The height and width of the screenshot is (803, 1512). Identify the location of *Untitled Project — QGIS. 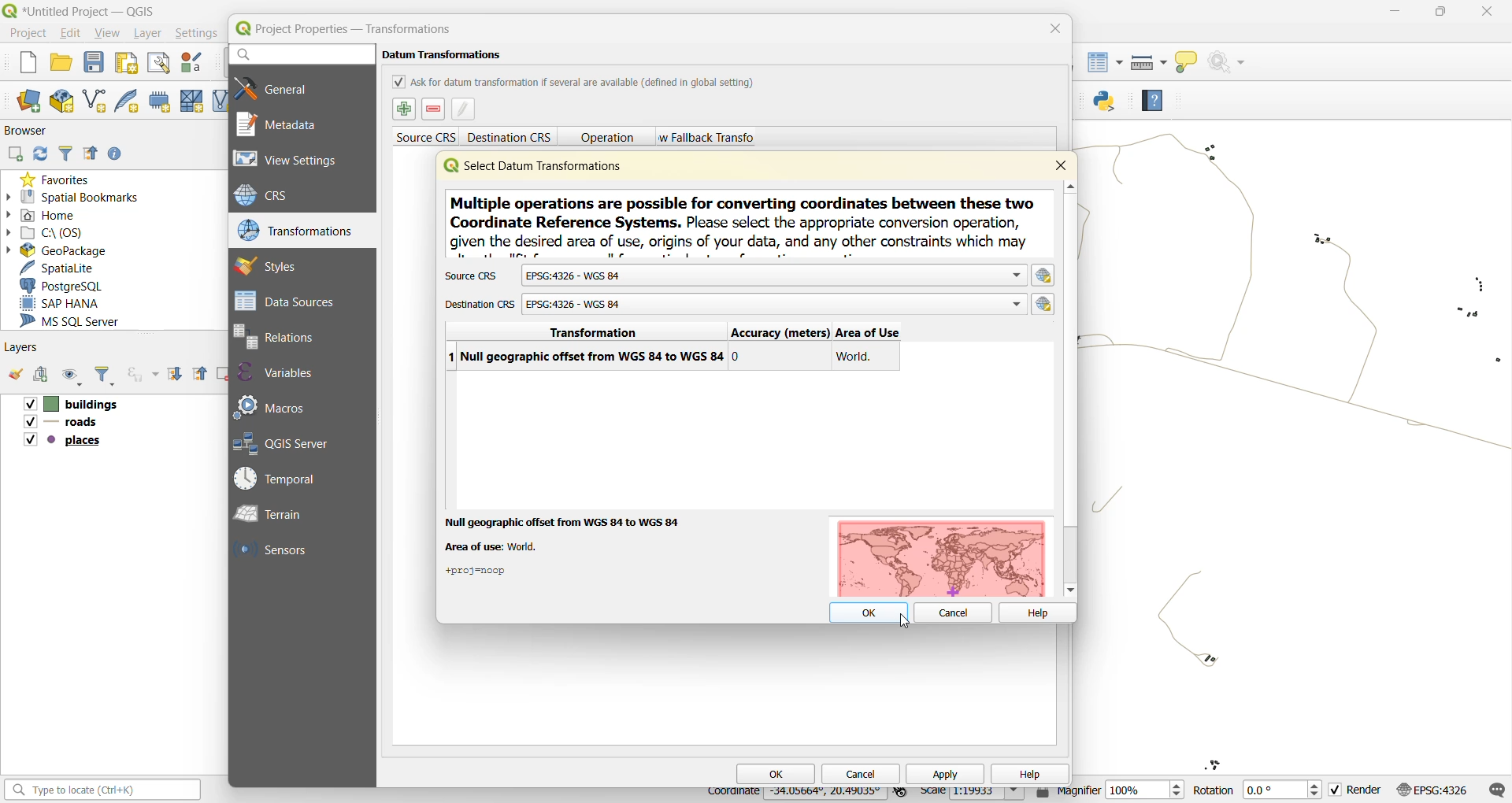
(94, 11).